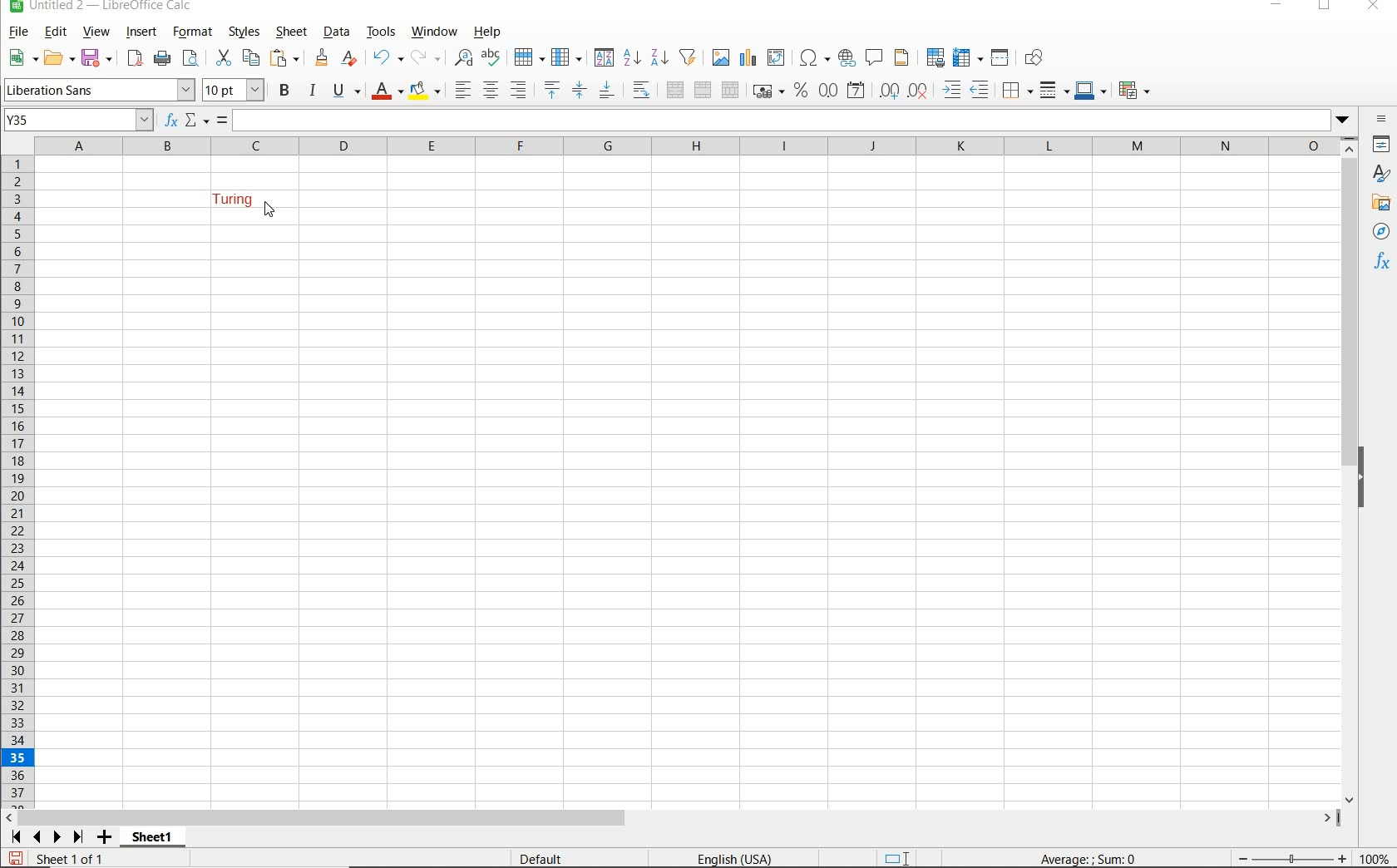 This screenshot has width=1397, height=868. Describe the element at coordinates (17, 484) in the screenshot. I see `ROWS` at that location.